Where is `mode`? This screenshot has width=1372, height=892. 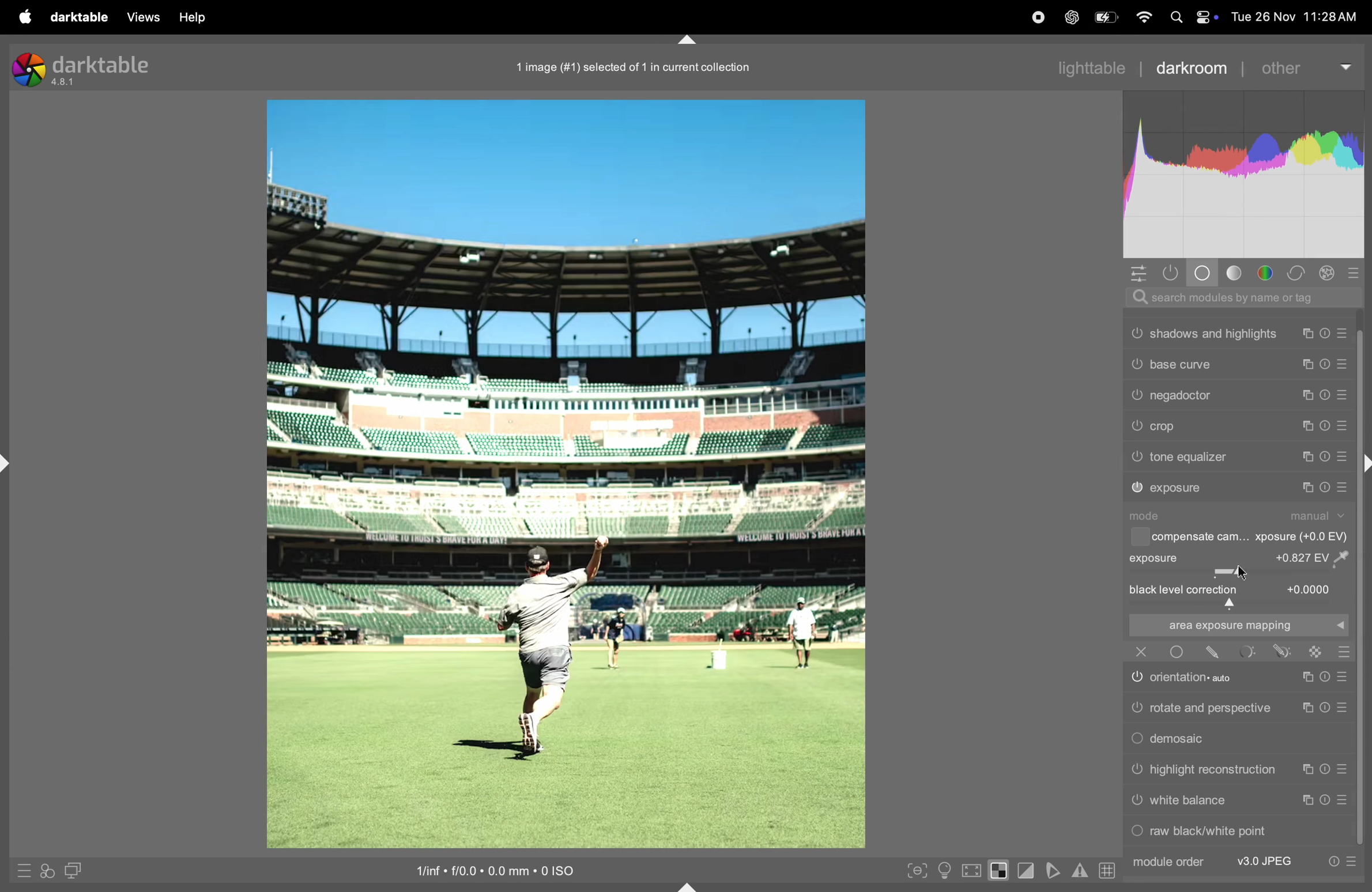
mode is located at coordinates (1149, 516).